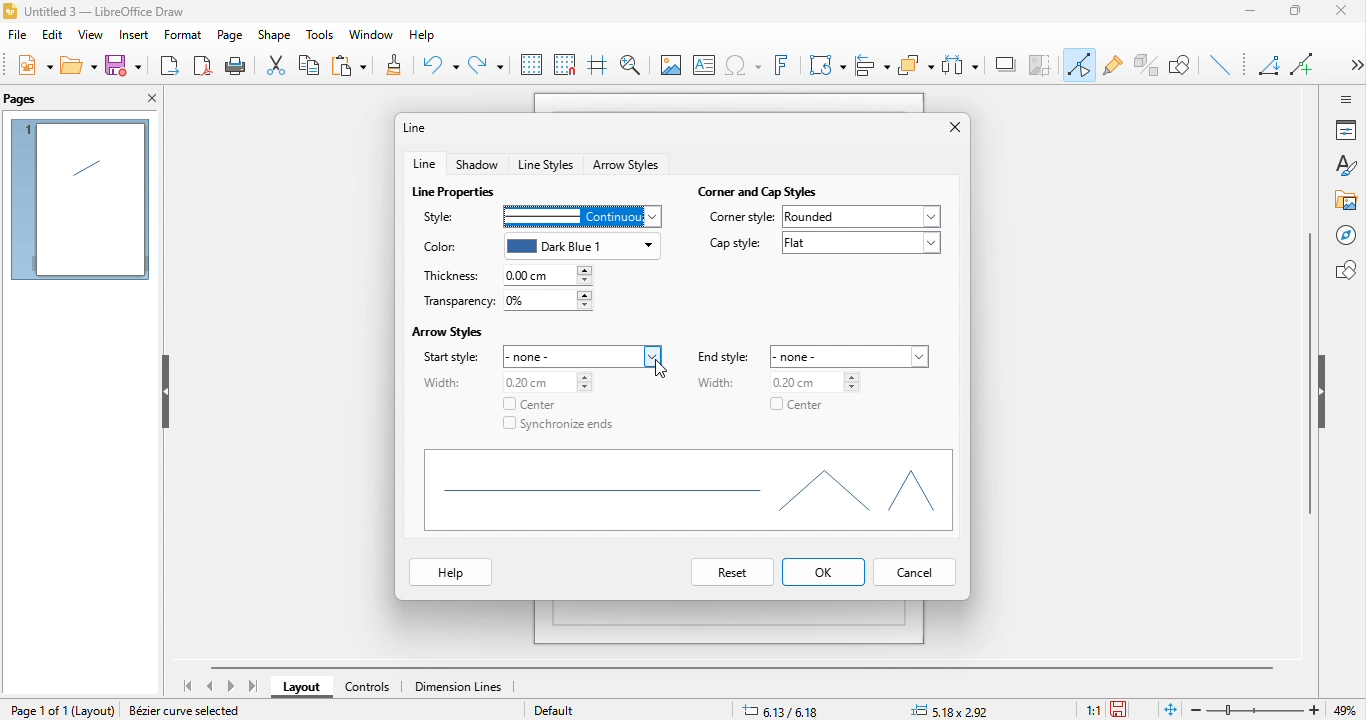 This screenshot has width=1366, height=720. Describe the element at coordinates (545, 383) in the screenshot. I see `0.20 cm` at that location.